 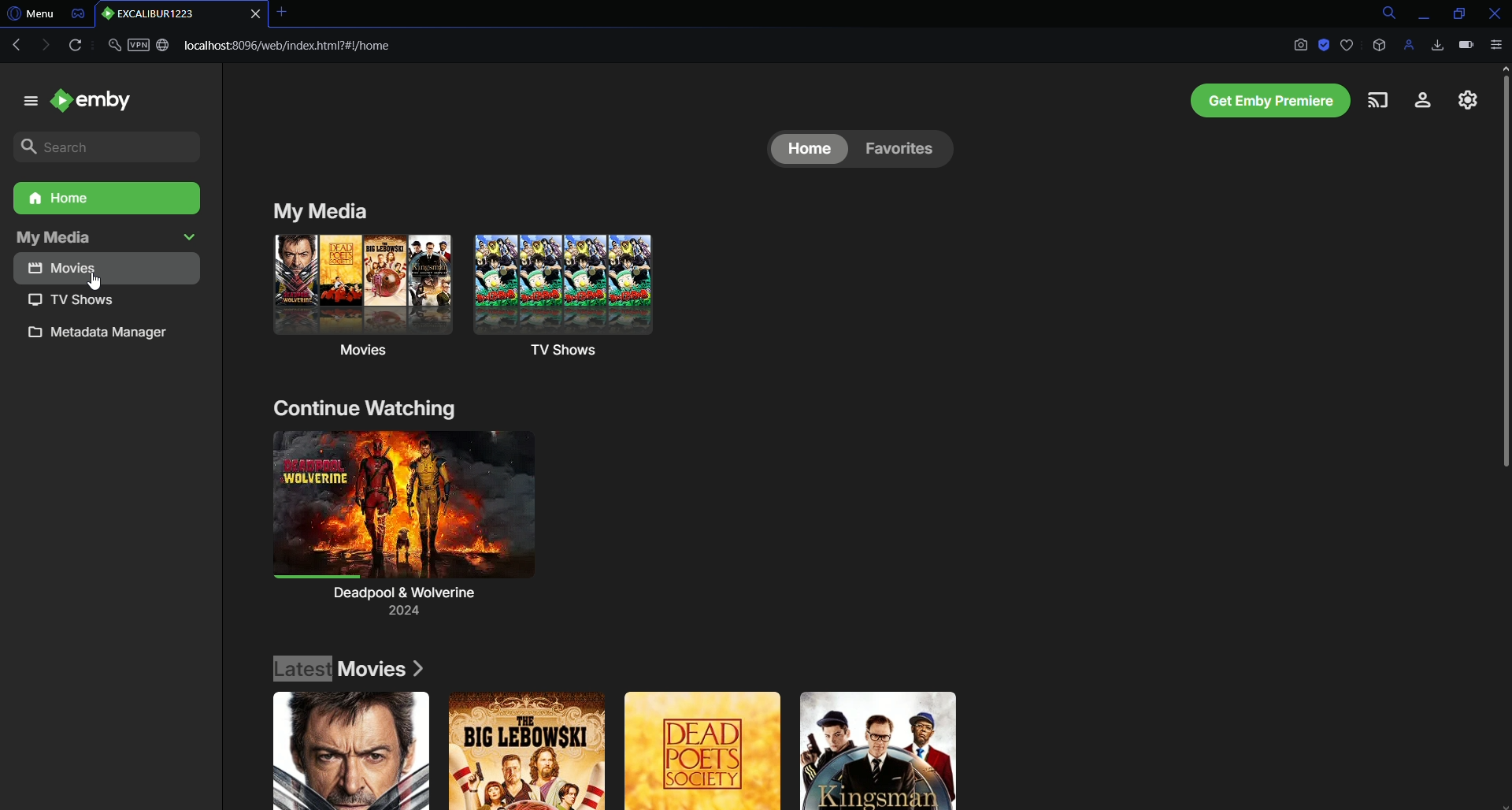 What do you see at coordinates (100, 98) in the screenshot?
I see `emby` at bounding box center [100, 98].